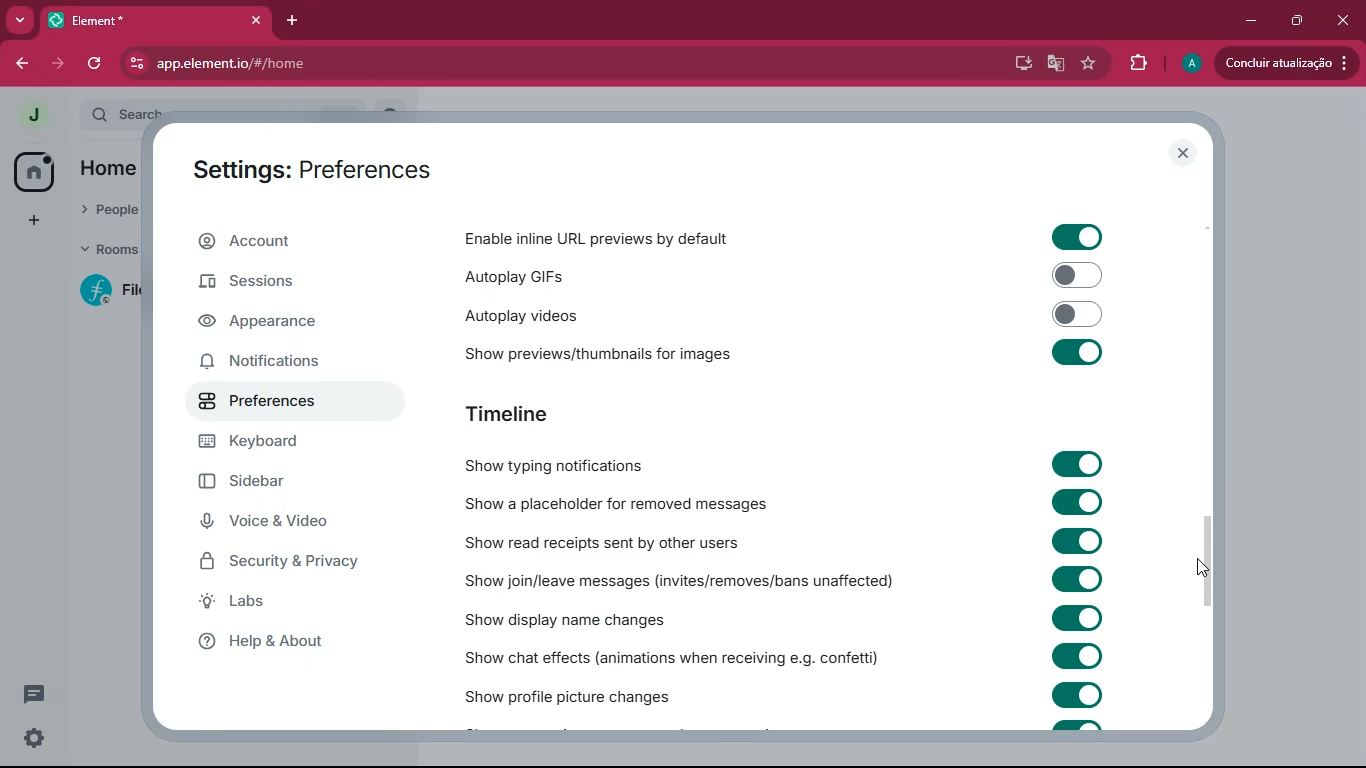  Describe the element at coordinates (1086, 64) in the screenshot. I see `favourite` at that location.